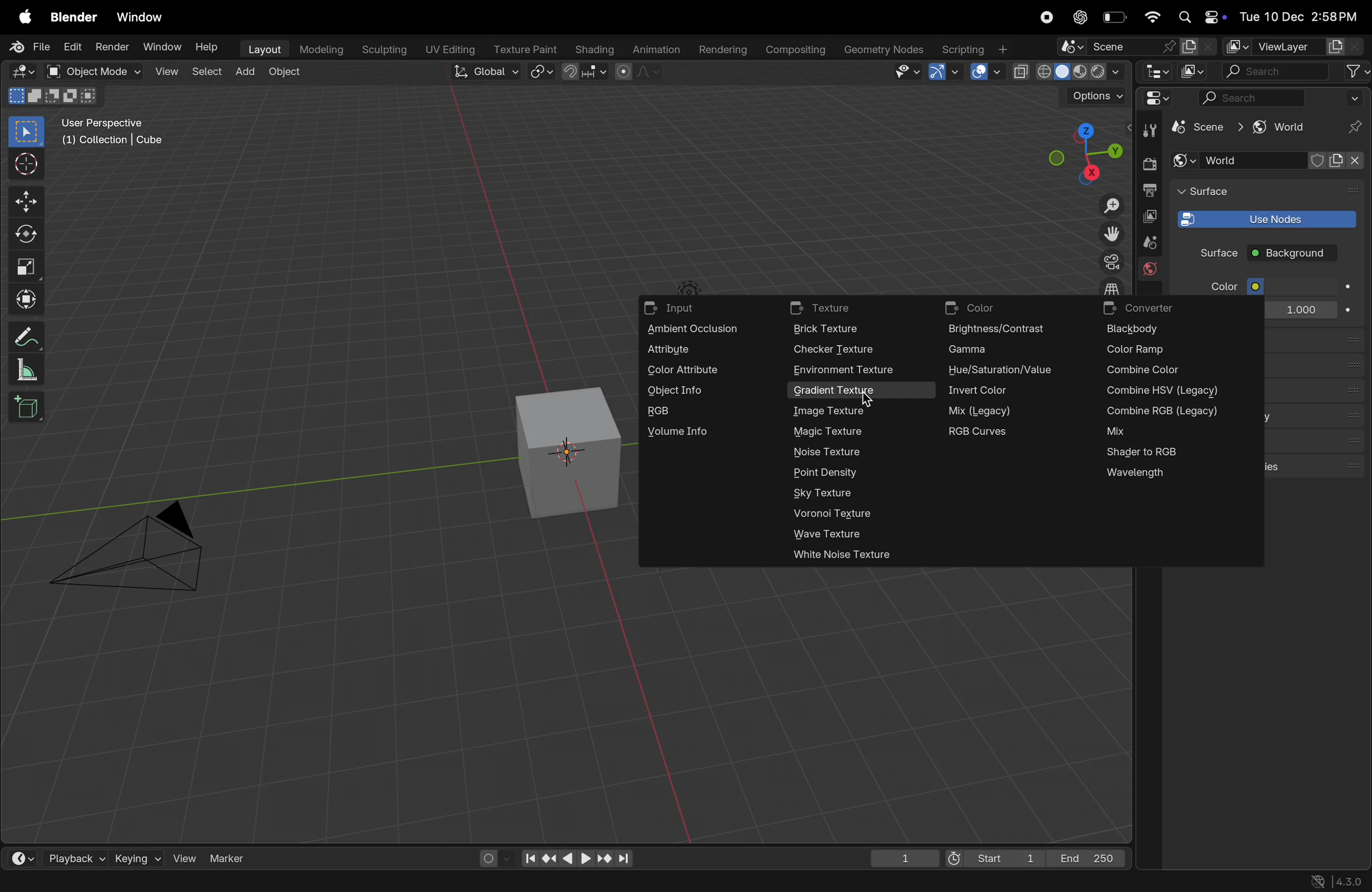 This screenshot has width=1372, height=892. I want to click on invert color, so click(999, 394).